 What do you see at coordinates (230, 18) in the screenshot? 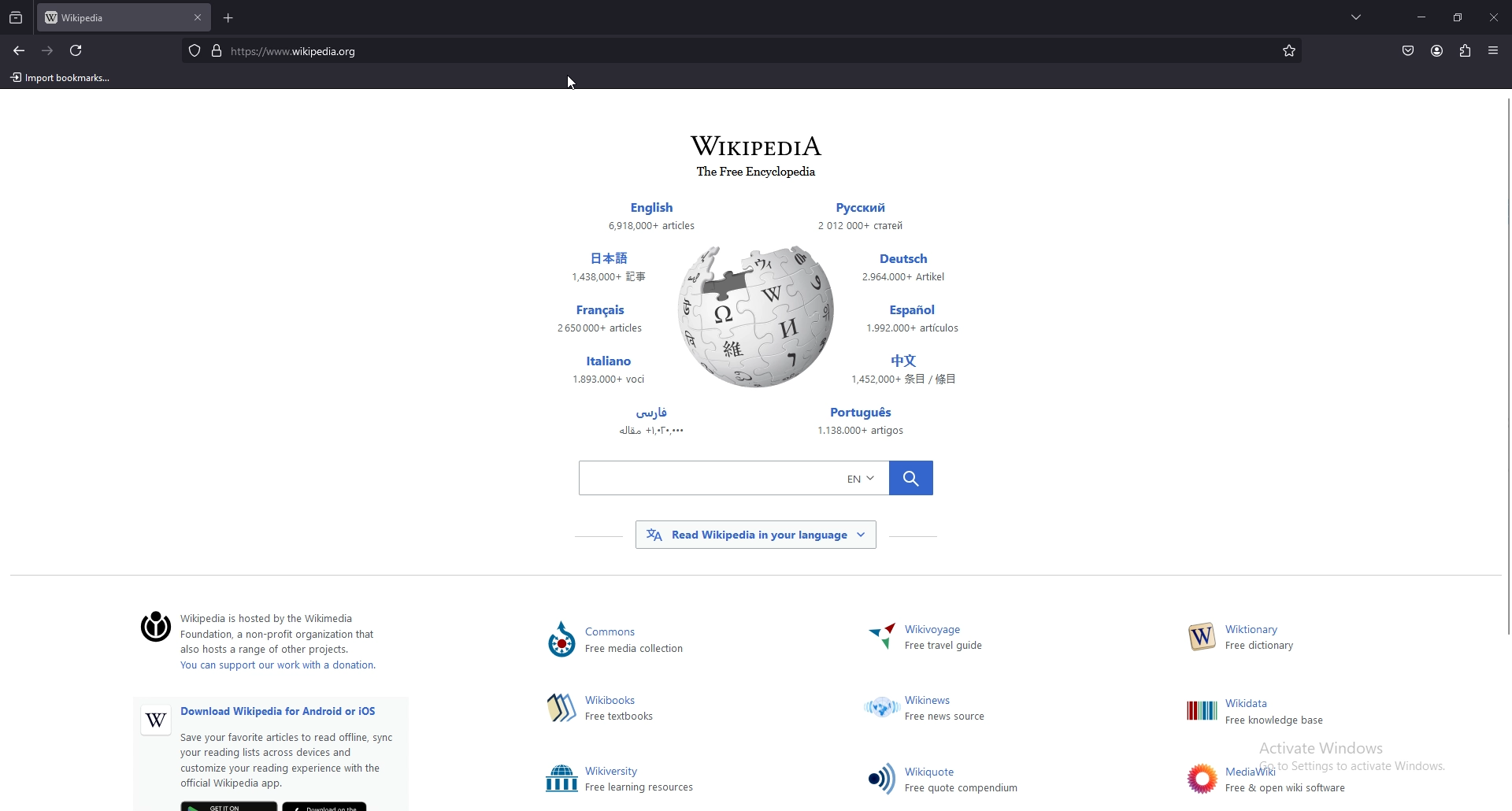
I see `add tab` at bounding box center [230, 18].